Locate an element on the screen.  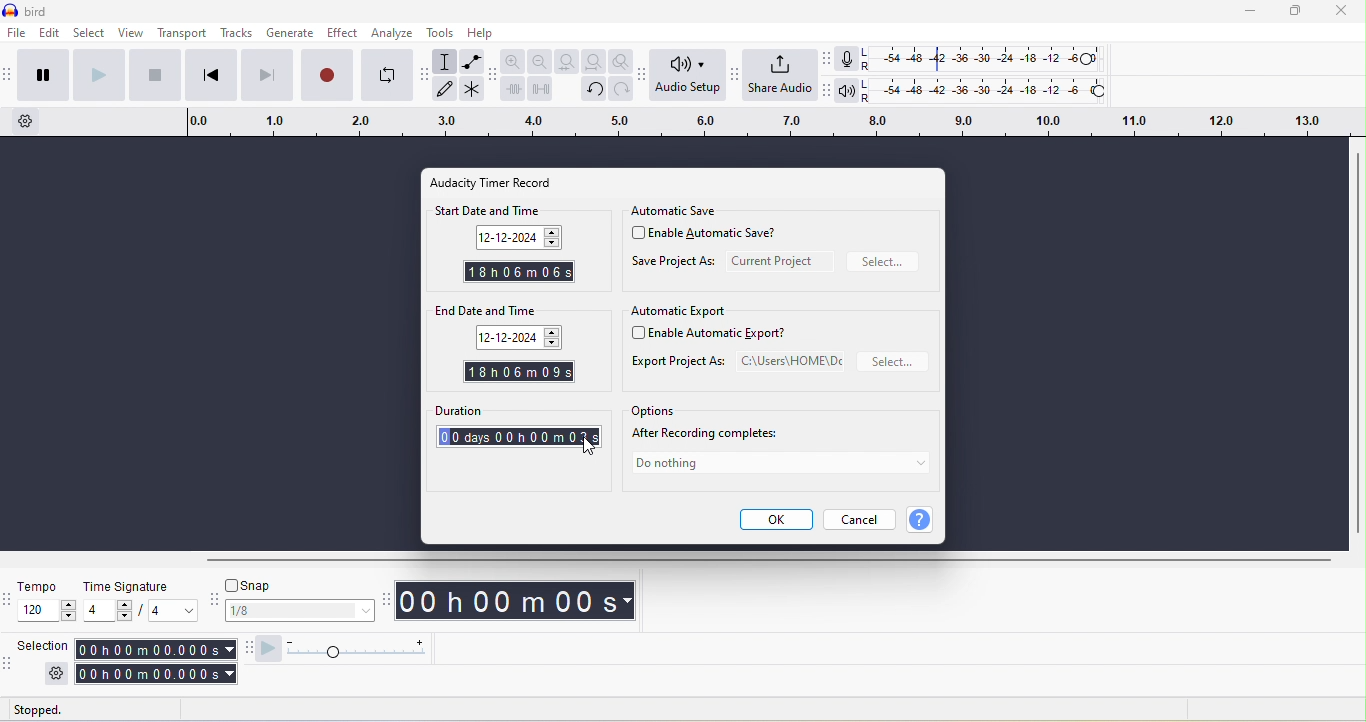
enable automatic export? is located at coordinates (718, 334).